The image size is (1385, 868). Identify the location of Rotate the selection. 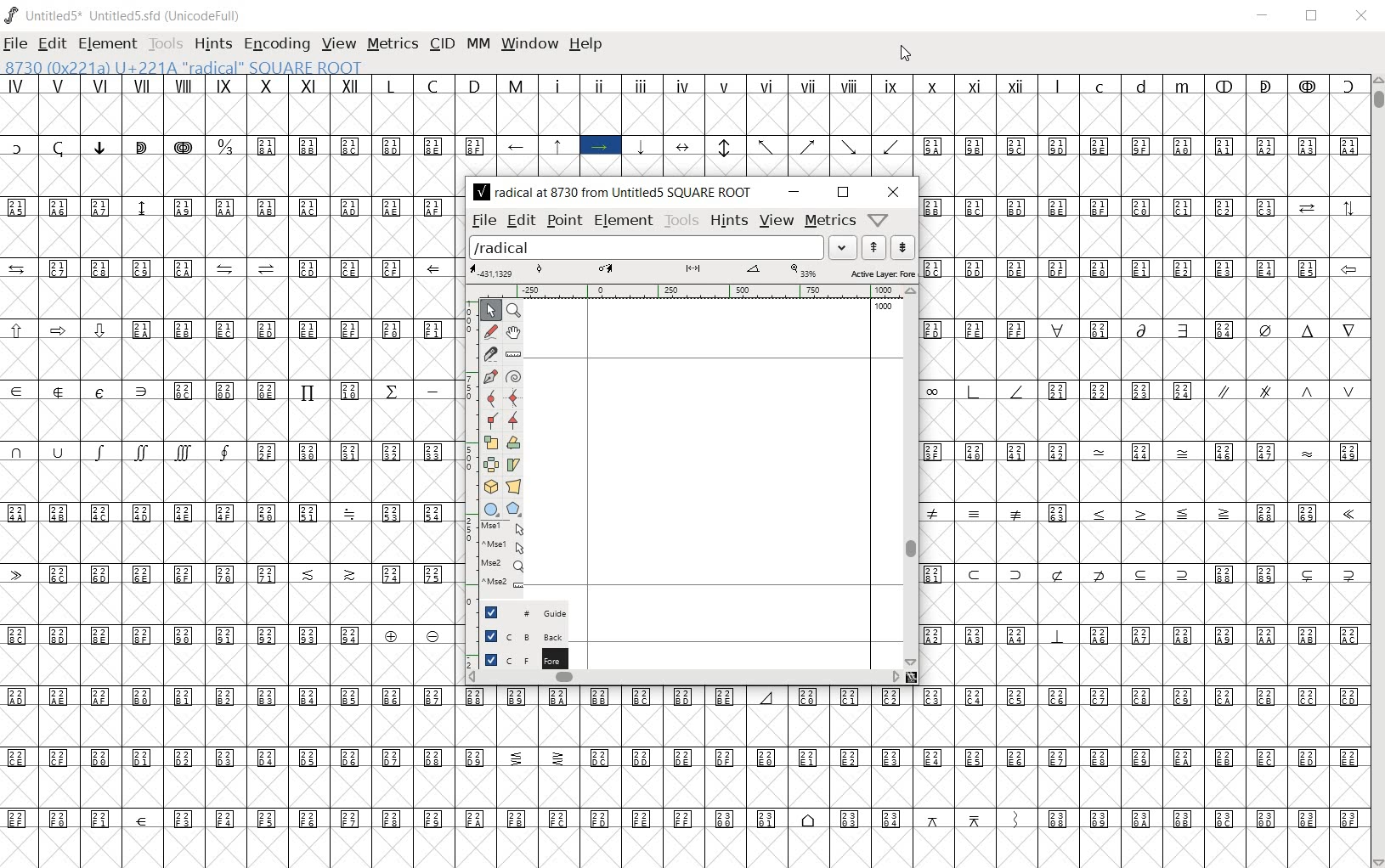
(512, 464).